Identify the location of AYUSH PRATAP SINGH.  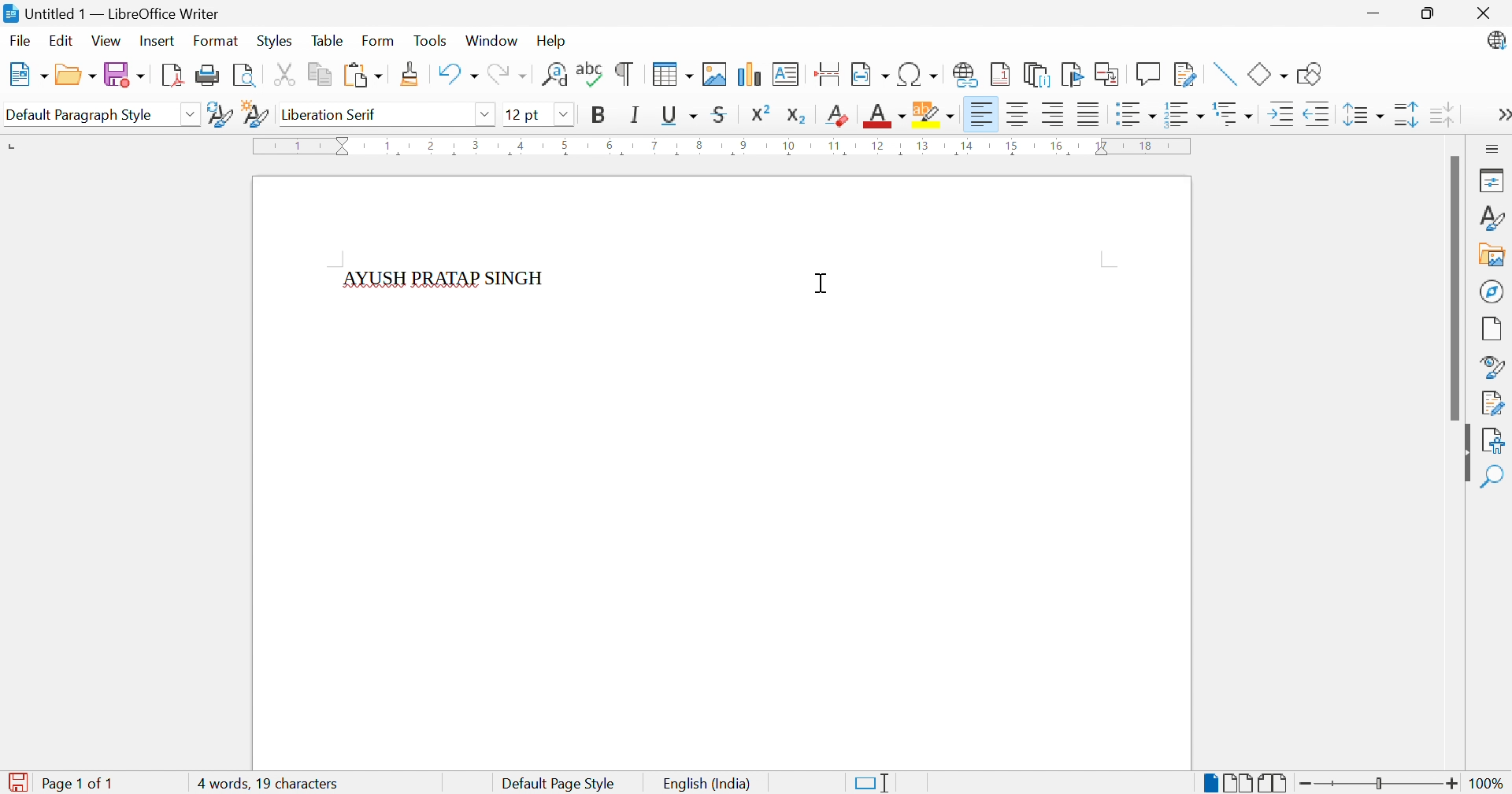
(446, 279).